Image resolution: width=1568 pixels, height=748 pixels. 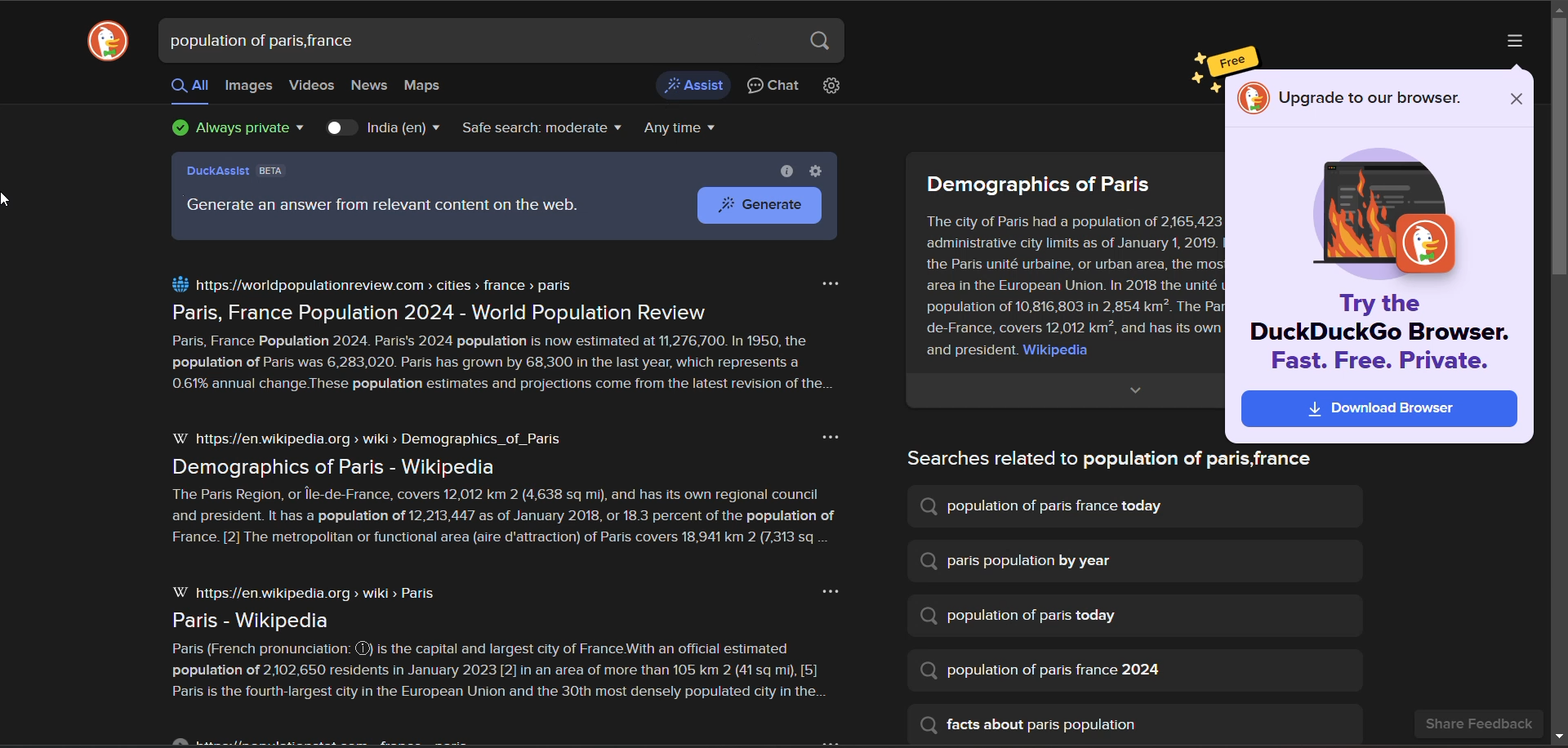 What do you see at coordinates (189, 87) in the screenshot?
I see `all` at bounding box center [189, 87].